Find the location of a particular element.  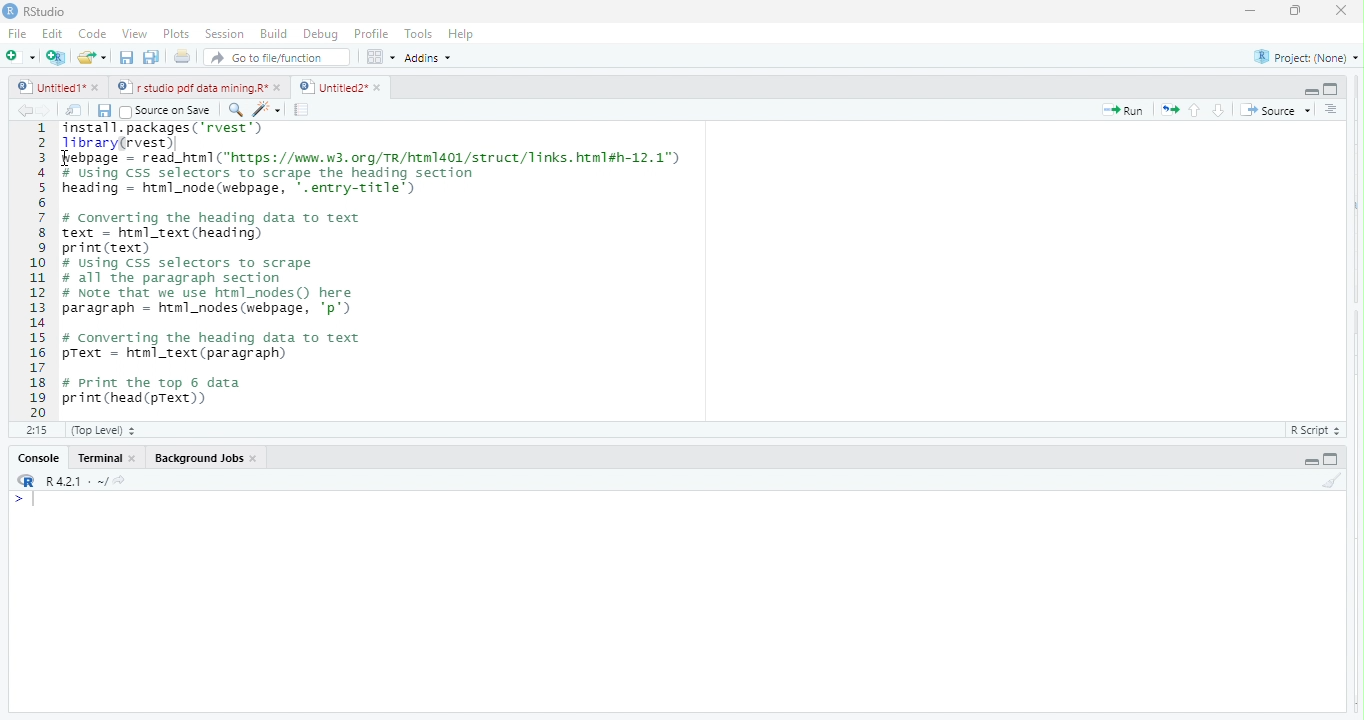

save current document is located at coordinates (126, 58).